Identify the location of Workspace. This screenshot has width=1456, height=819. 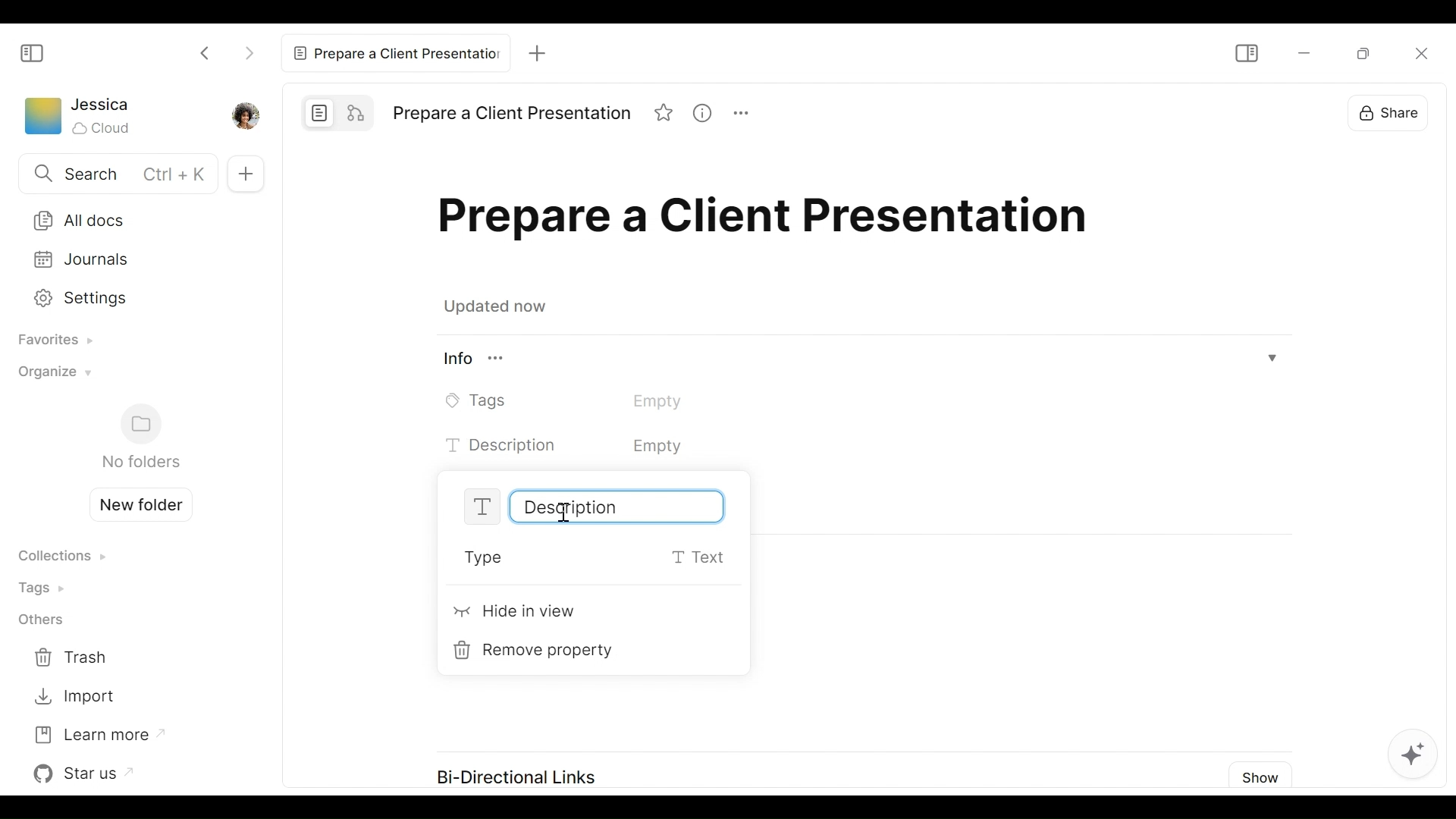
(42, 119).